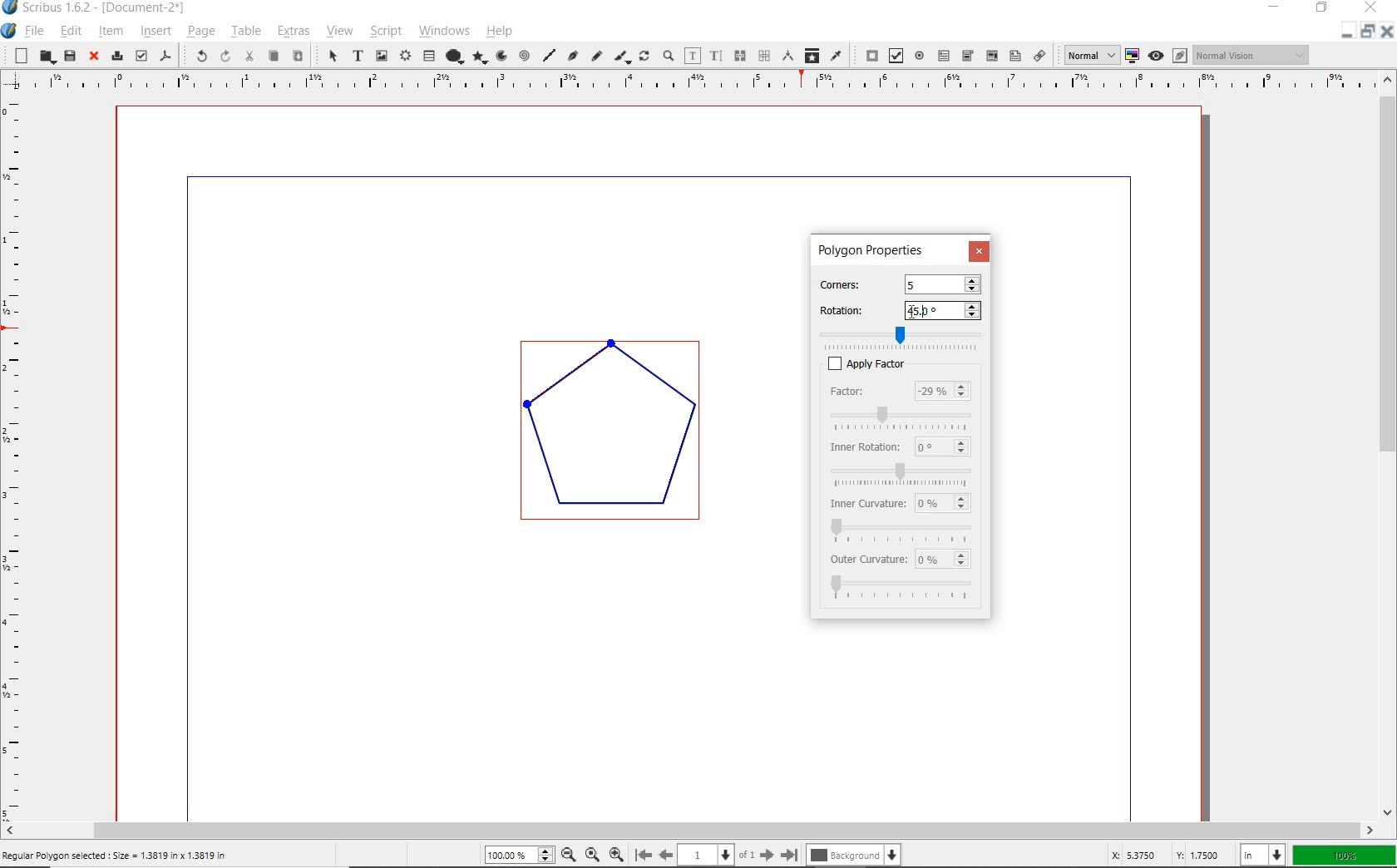 This screenshot has width=1397, height=868. Describe the element at coordinates (1385, 31) in the screenshot. I see `close document` at that location.